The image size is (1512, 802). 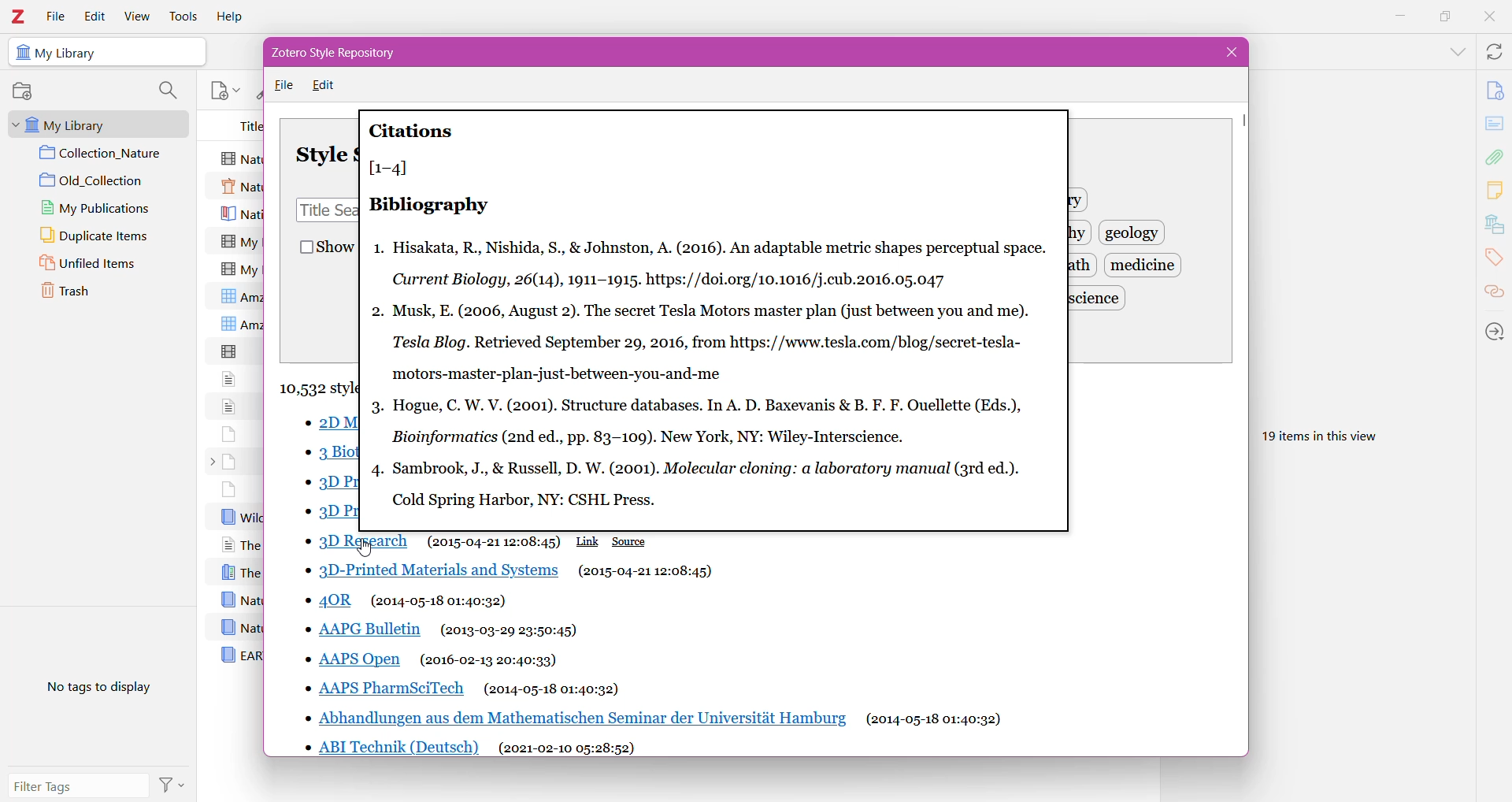 I want to click on (2014-05-18 01:40:32), so click(x=552, y=689).